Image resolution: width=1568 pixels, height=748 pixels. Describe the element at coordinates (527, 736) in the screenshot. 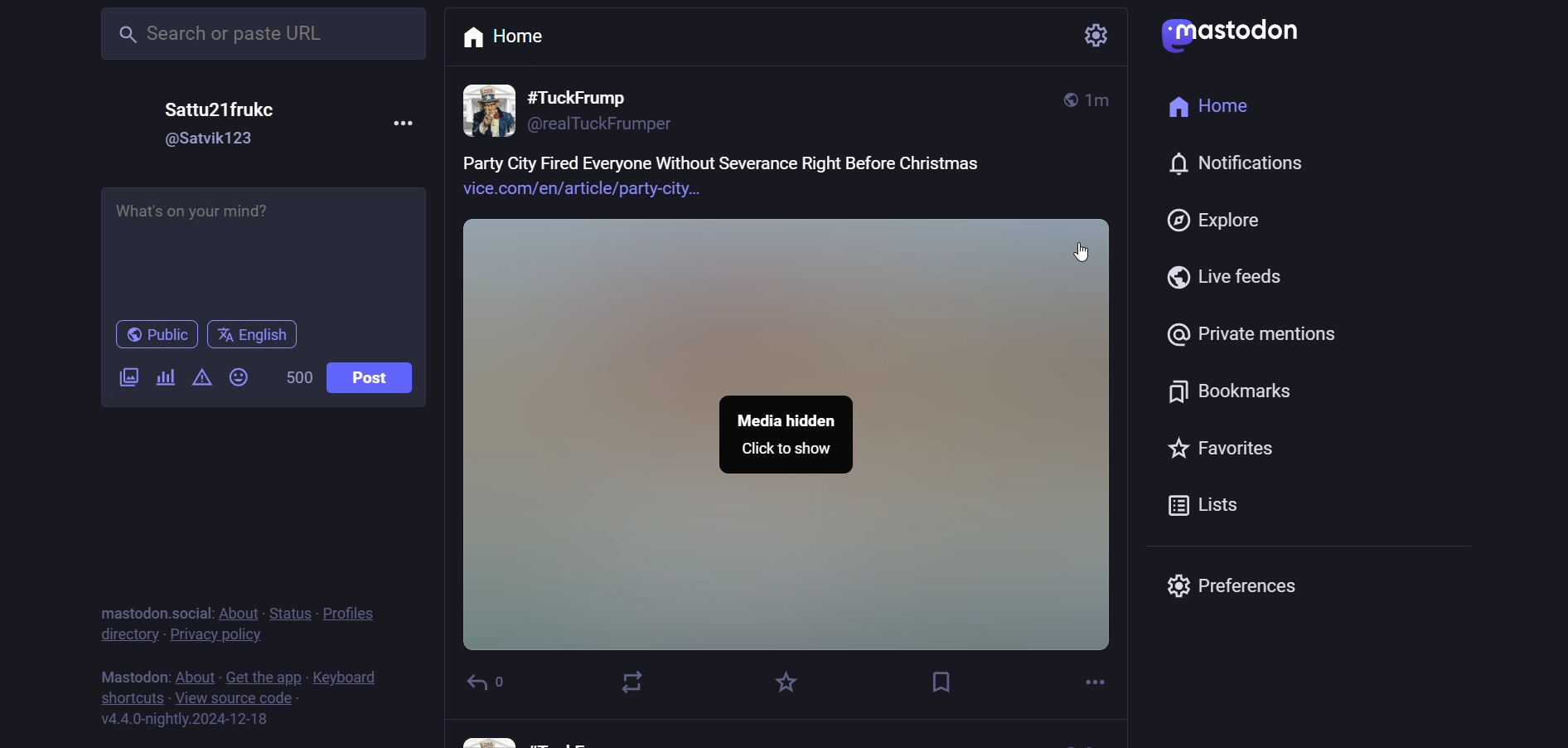

I see `other user information` at that location.